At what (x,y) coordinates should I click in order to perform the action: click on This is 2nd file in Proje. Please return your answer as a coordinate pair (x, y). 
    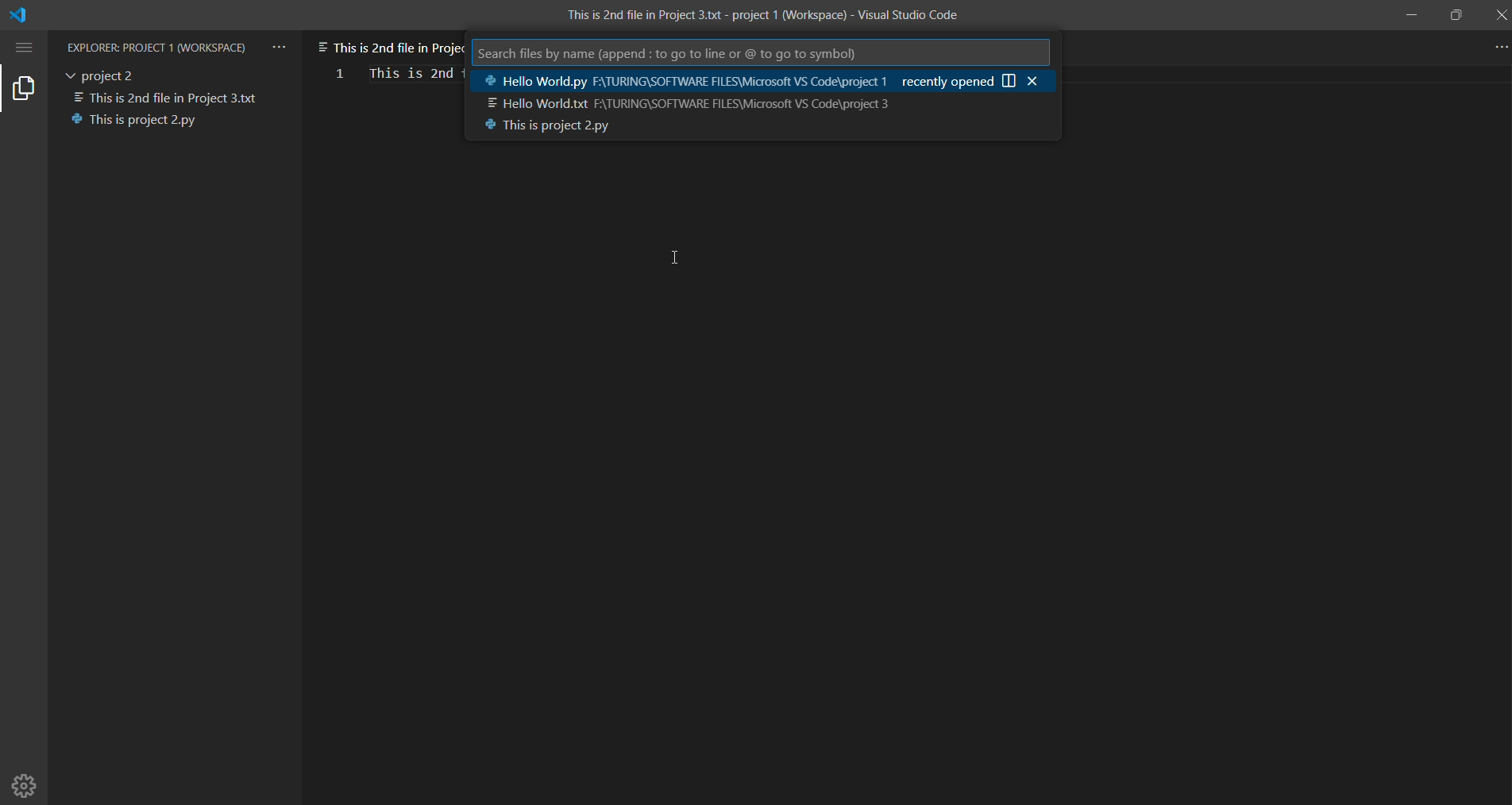
    Looking at the image, I should click on (388, 41).